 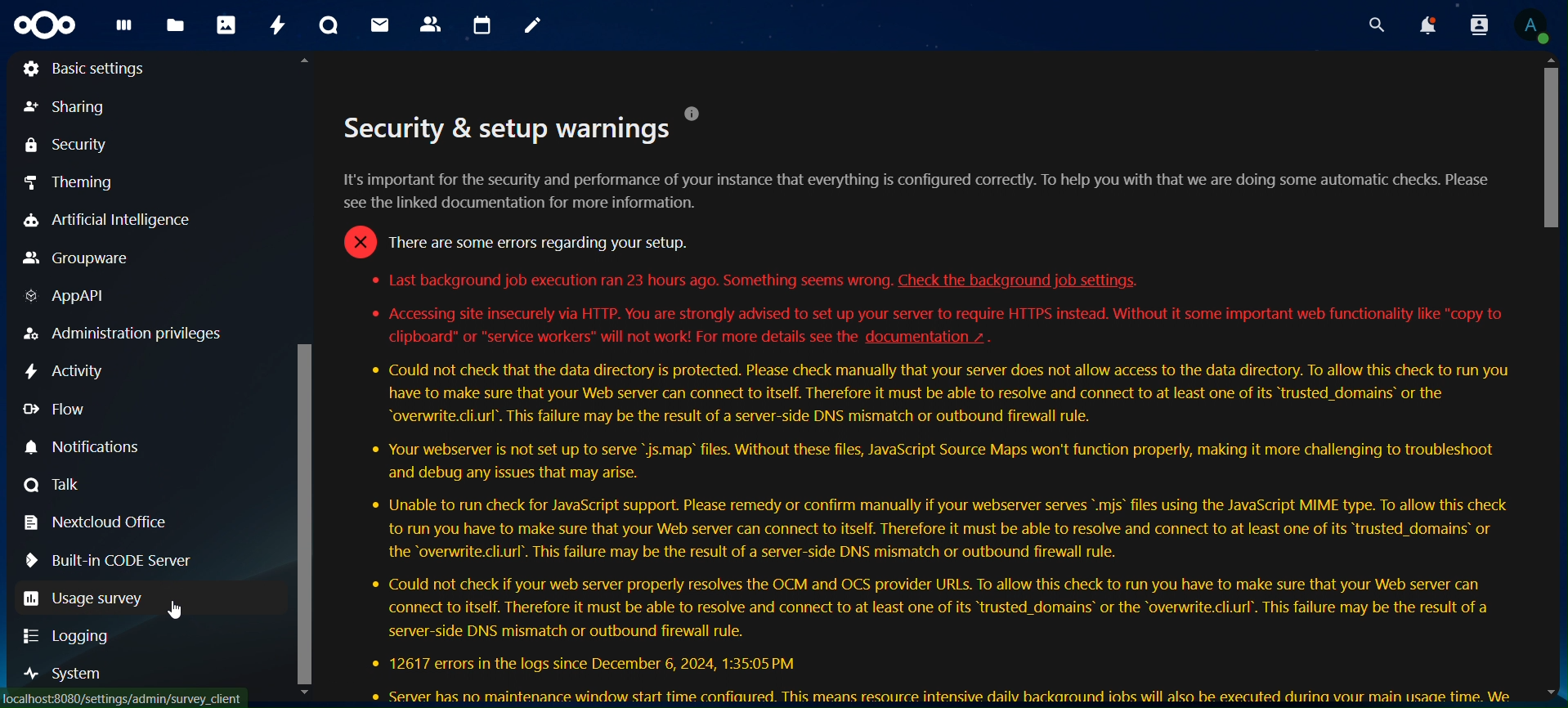 I want to click on administration privileges, so click(x=121, y=333).